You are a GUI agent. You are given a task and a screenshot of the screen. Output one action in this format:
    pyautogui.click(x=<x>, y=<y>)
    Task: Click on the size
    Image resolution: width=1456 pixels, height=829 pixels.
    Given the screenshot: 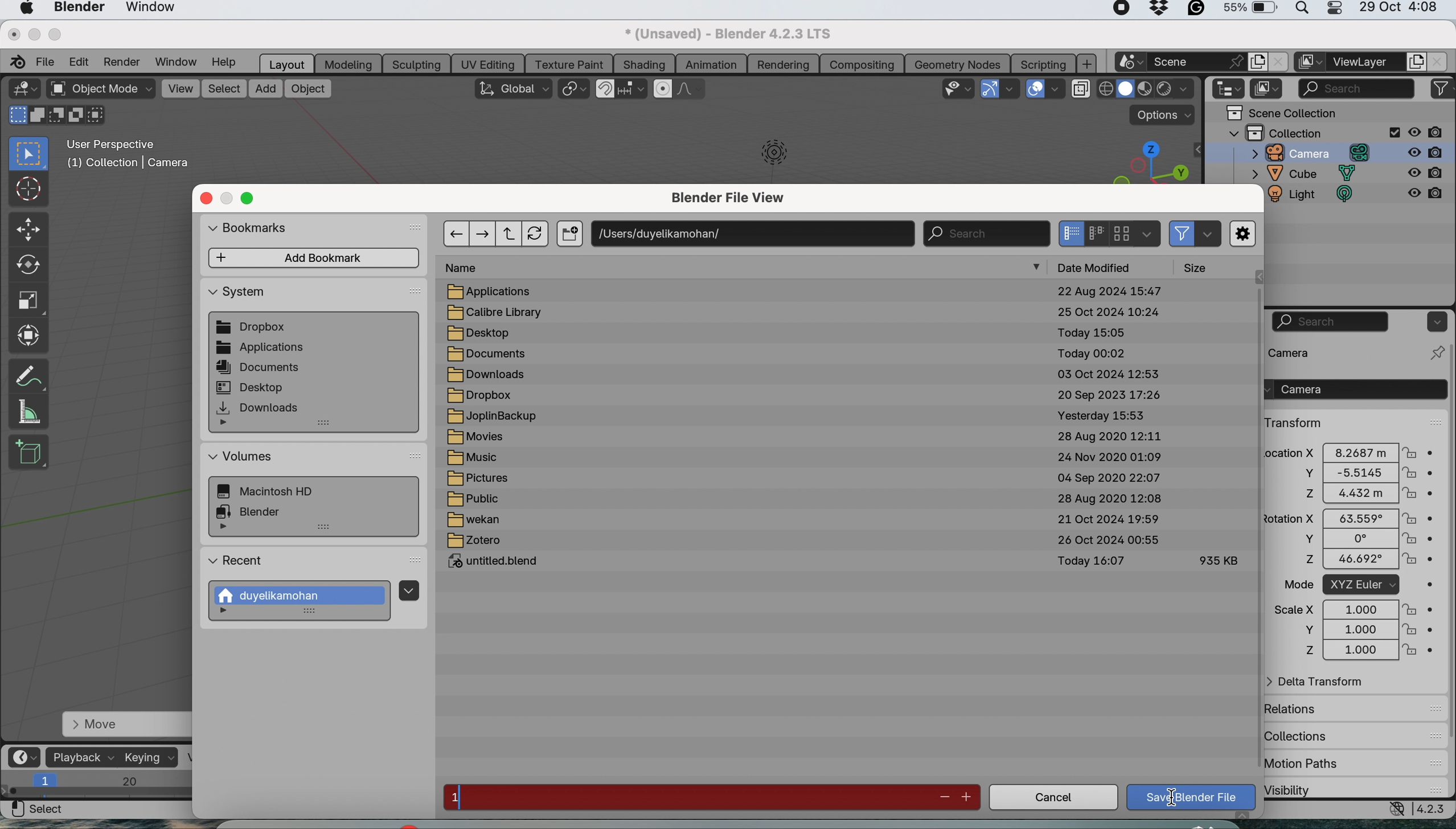 What is the action you would take?
    pyautogui.click(x=1201, y=268)
    